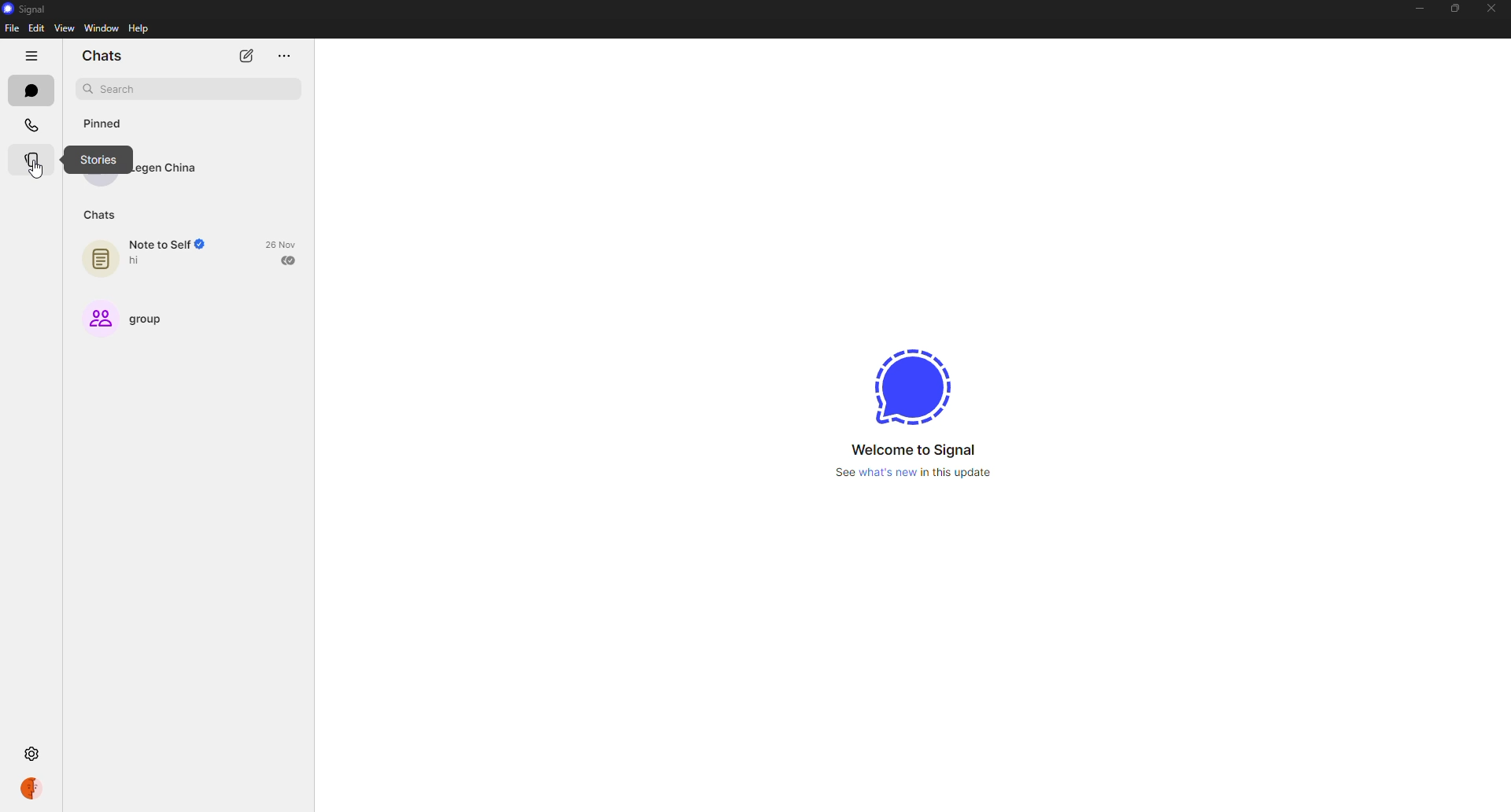  I want to click on help, so click(142, 28).